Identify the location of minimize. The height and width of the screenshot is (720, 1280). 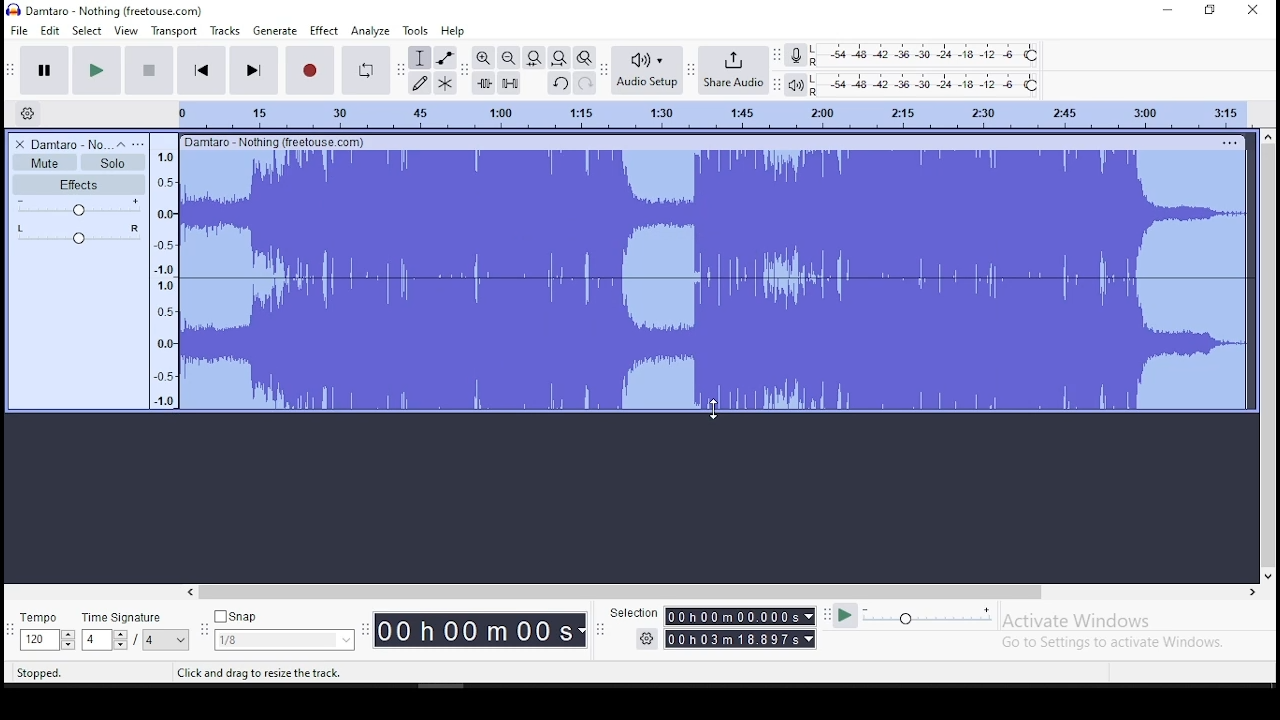
(1168, 10).